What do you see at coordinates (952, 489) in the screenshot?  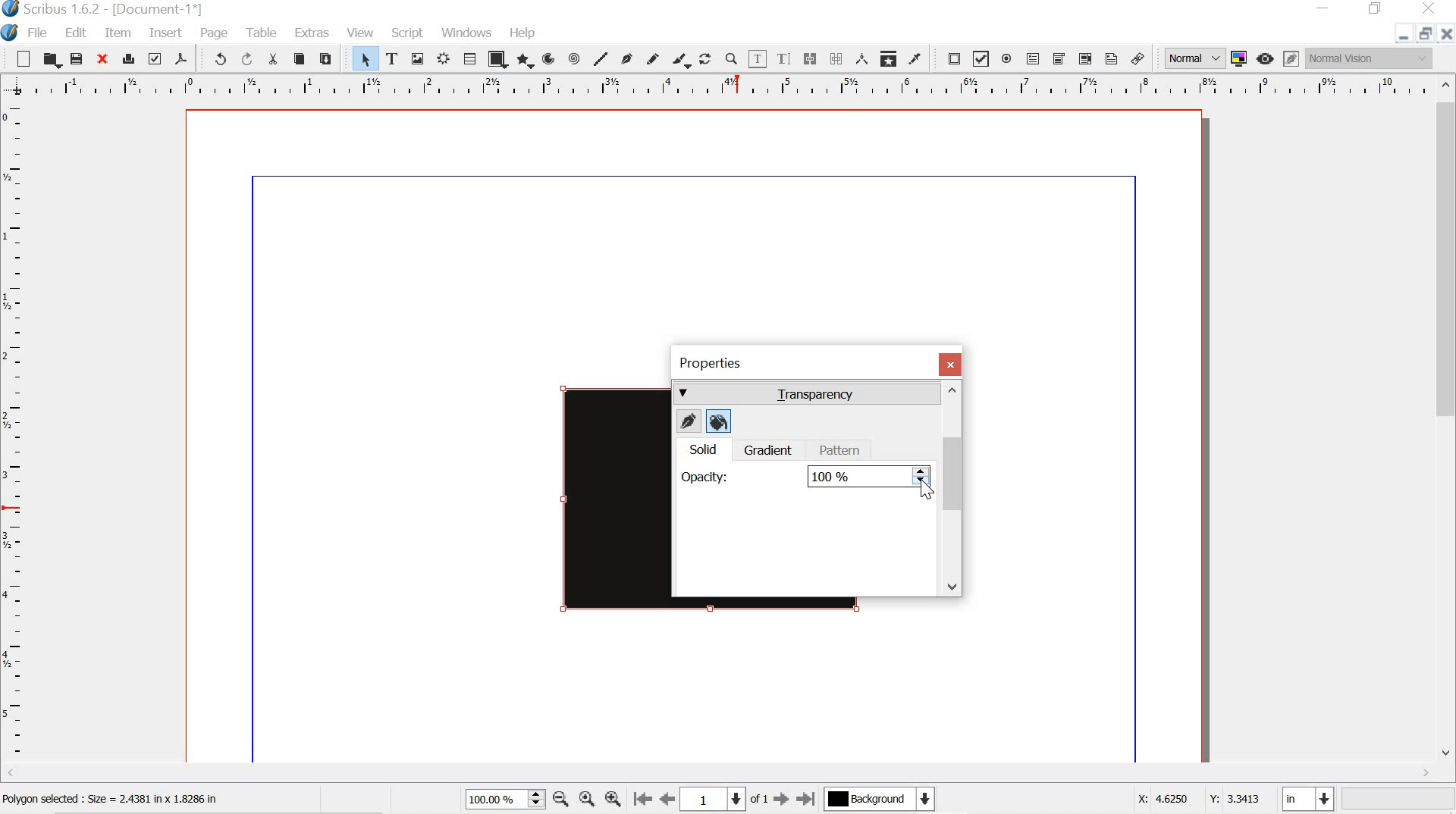 I see `scrollbar` at bounding box center [952, 489].